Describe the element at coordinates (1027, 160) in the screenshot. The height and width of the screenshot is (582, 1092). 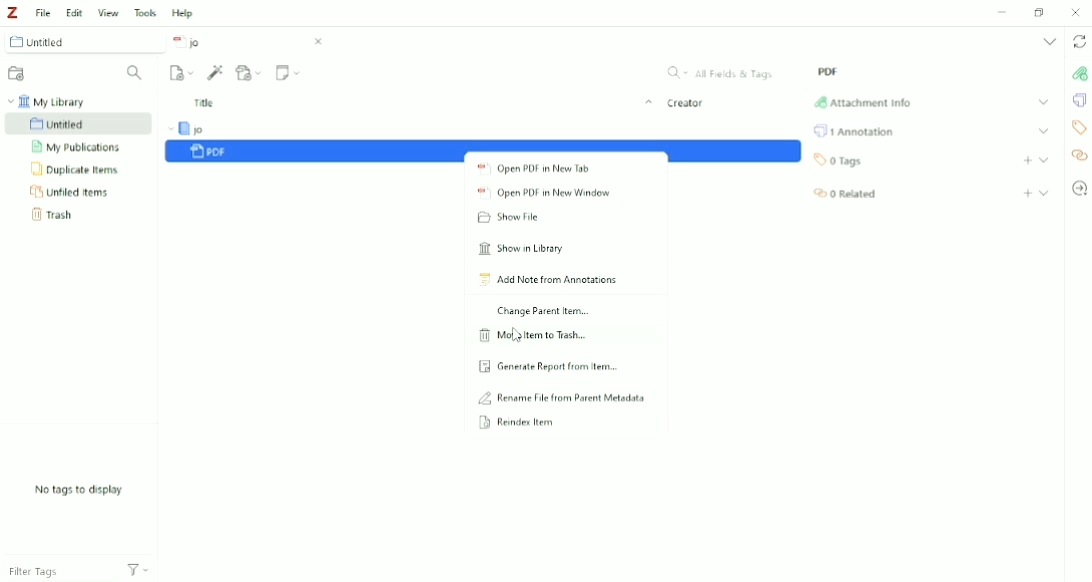
I see `Add` at that location.